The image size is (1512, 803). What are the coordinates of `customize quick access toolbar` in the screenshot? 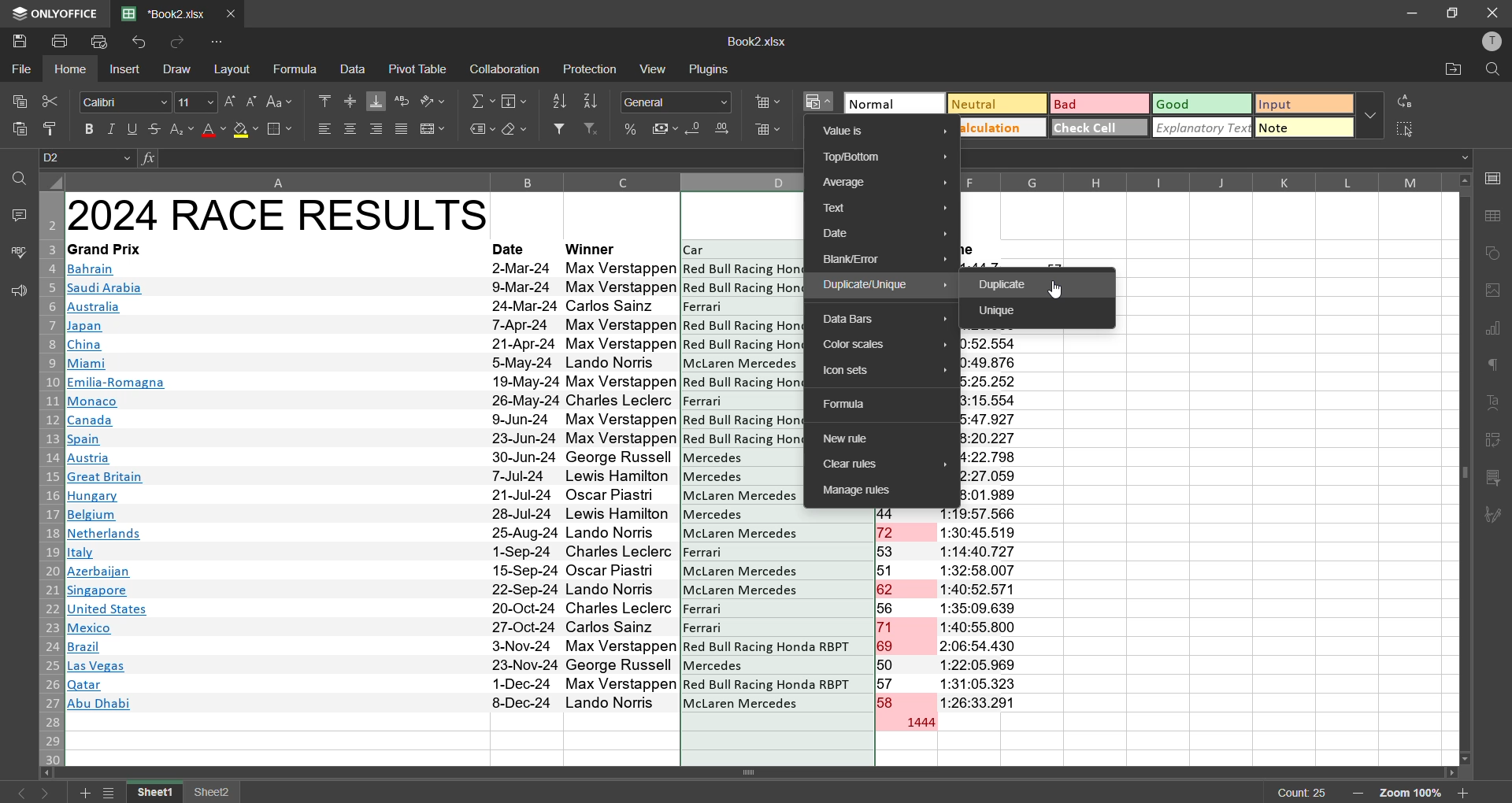 It's located at (220, 42).